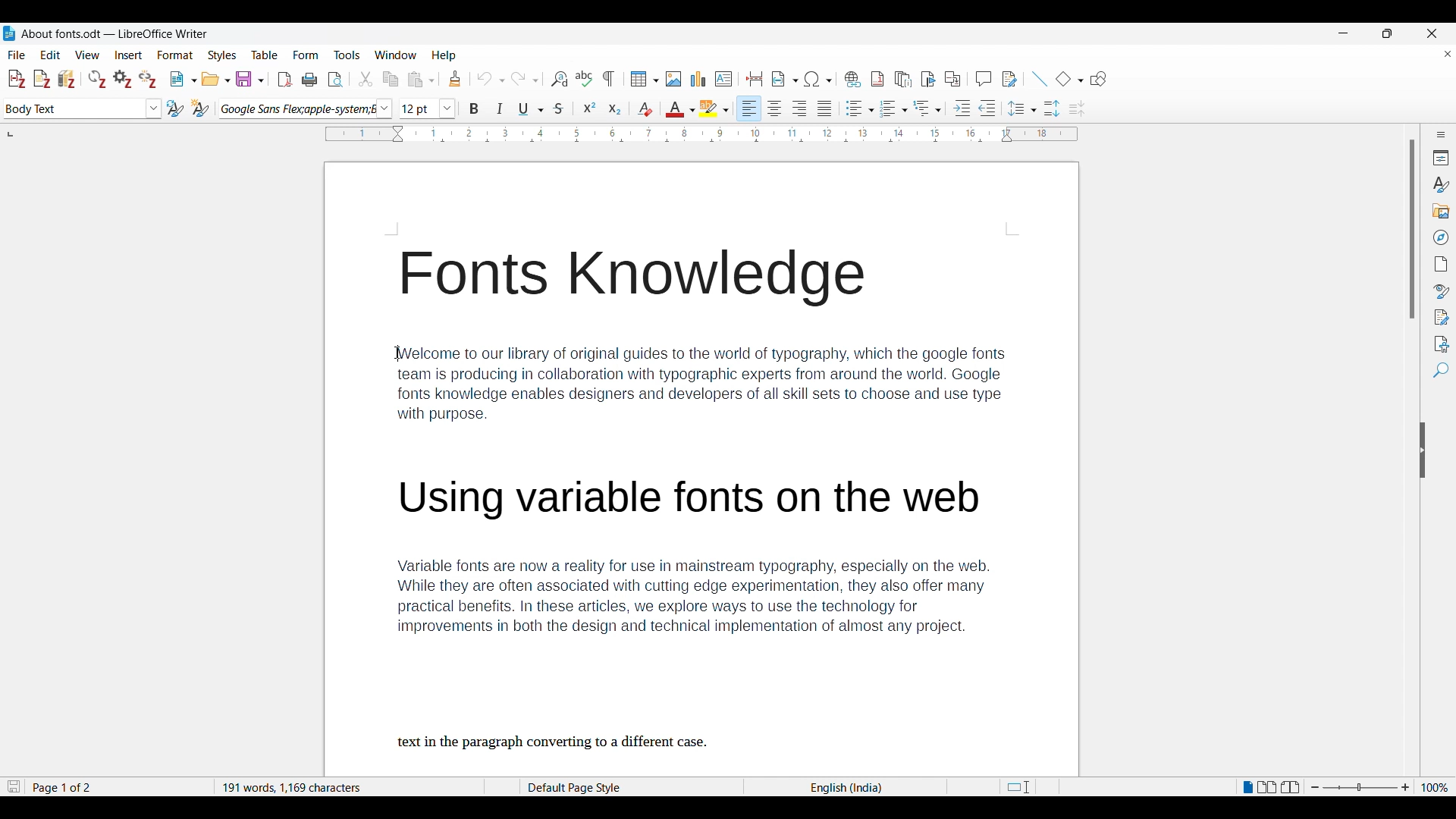  Describe the element at coordinates (929, 80) in the screenshot. I see `Insert bookmark` at that location.